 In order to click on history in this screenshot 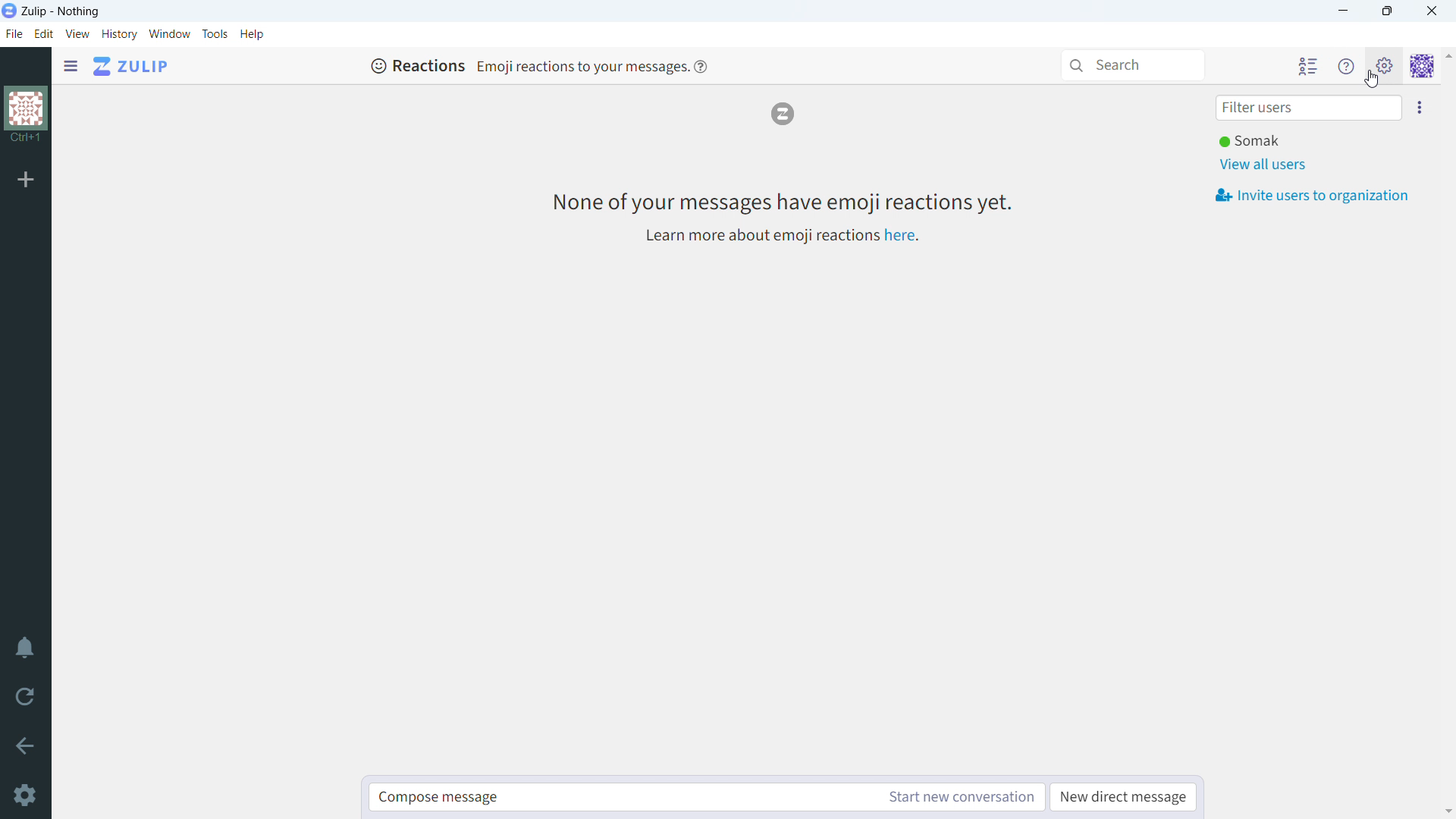, I will do `click(119, 34)`.